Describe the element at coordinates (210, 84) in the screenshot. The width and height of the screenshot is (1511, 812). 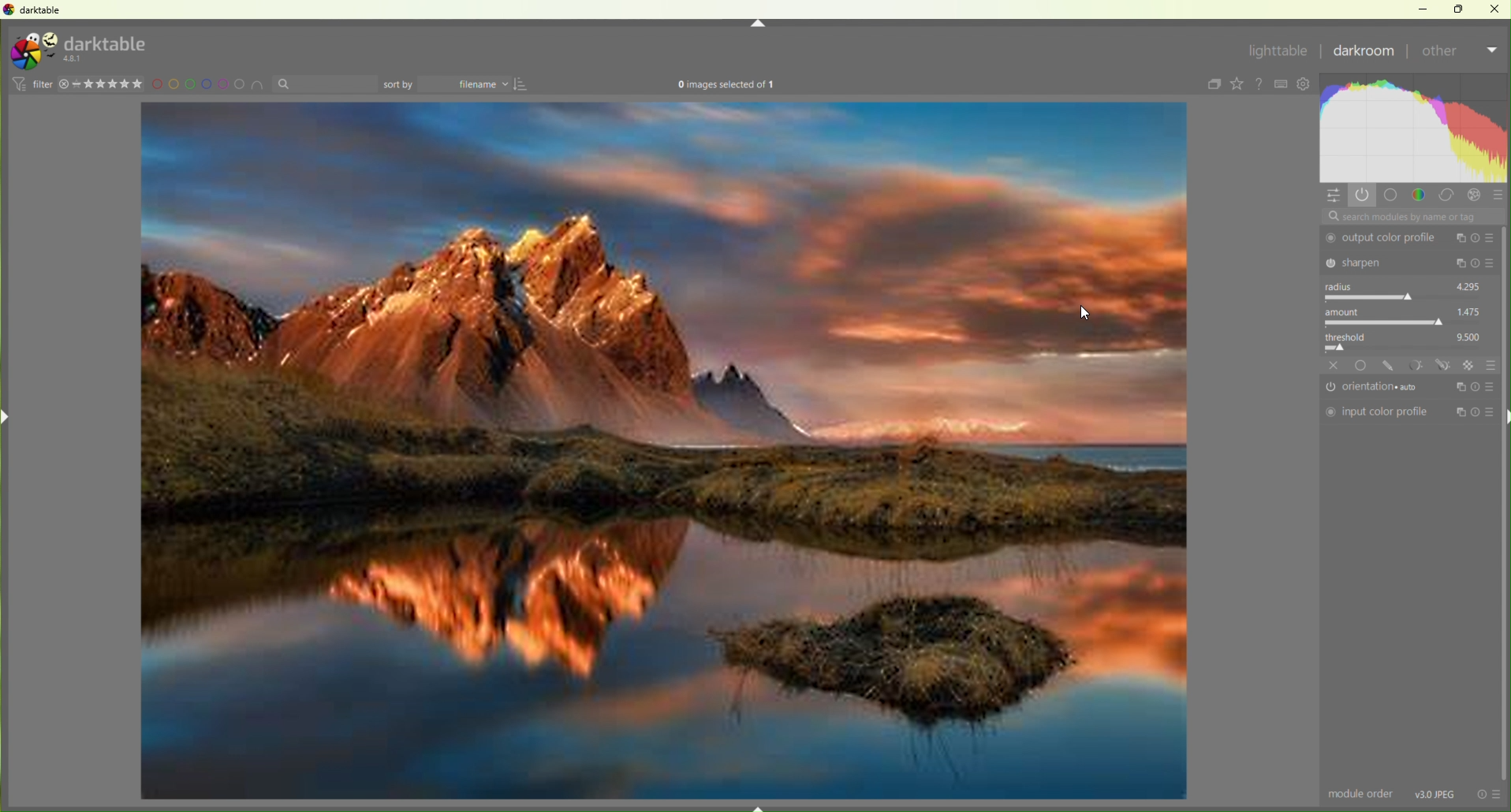
I see `filter by images color label` at that location.